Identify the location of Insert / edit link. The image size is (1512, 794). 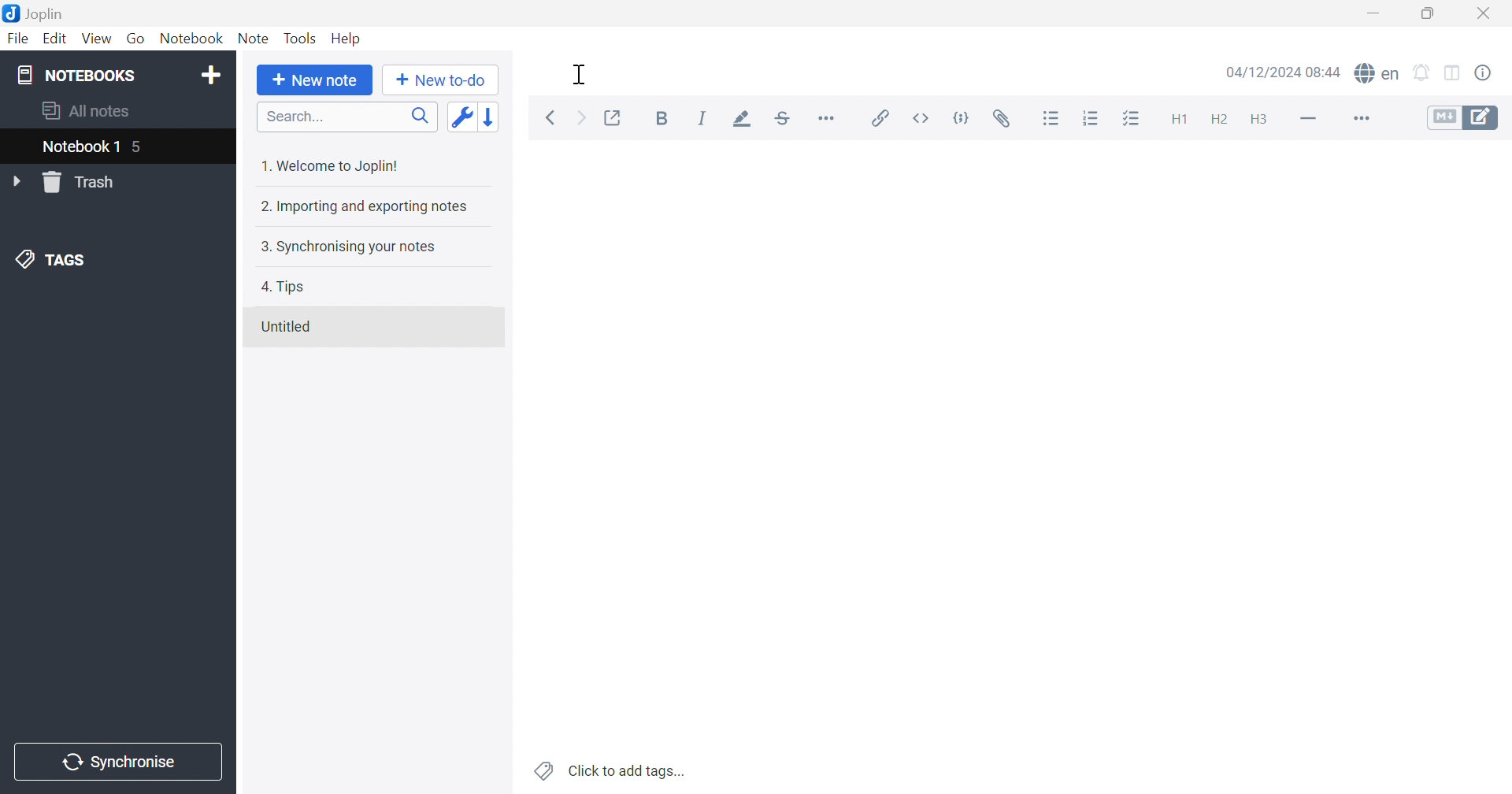
(878, 115).